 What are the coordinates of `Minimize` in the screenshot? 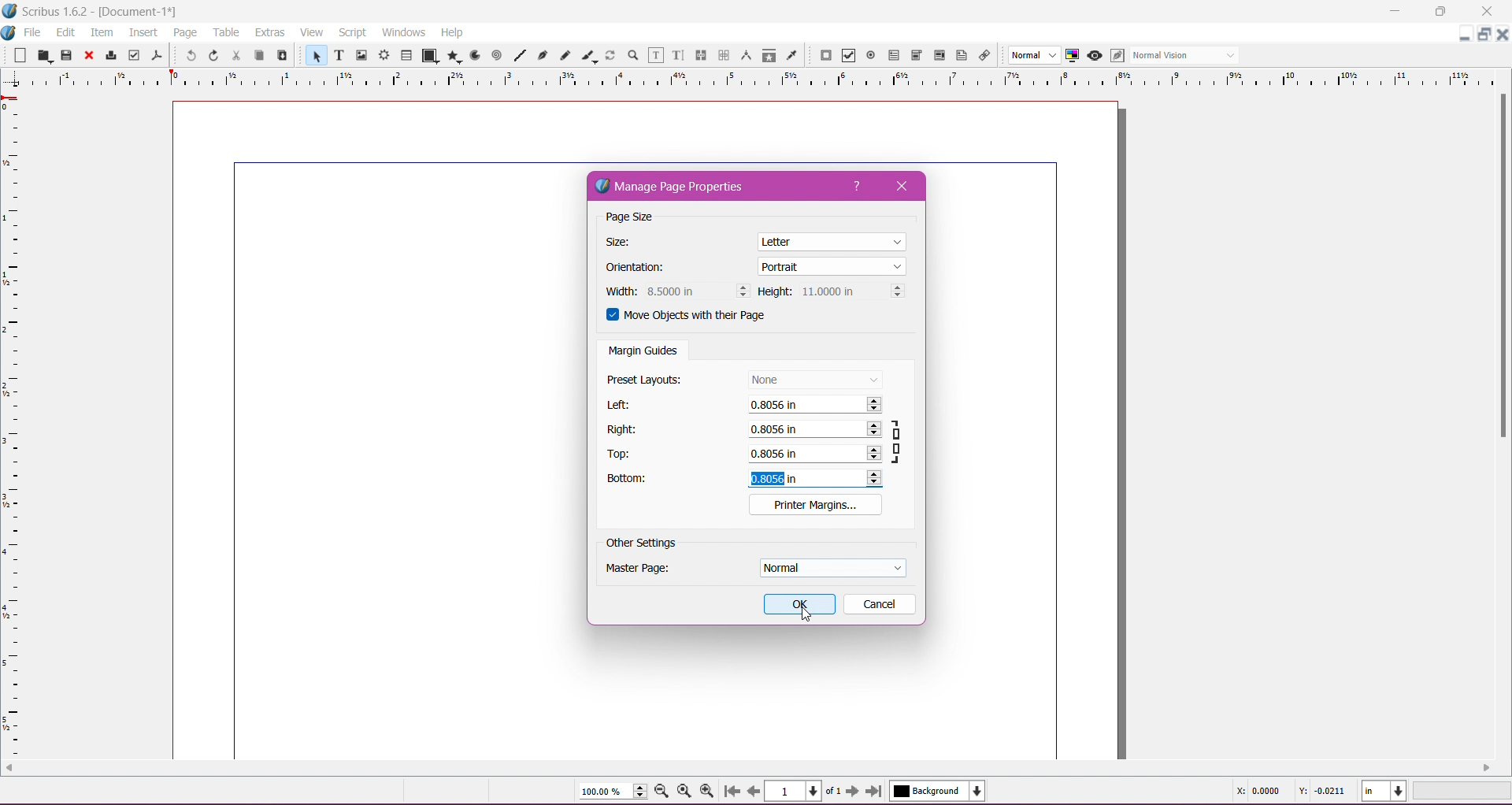 It's located at (1395, 10).